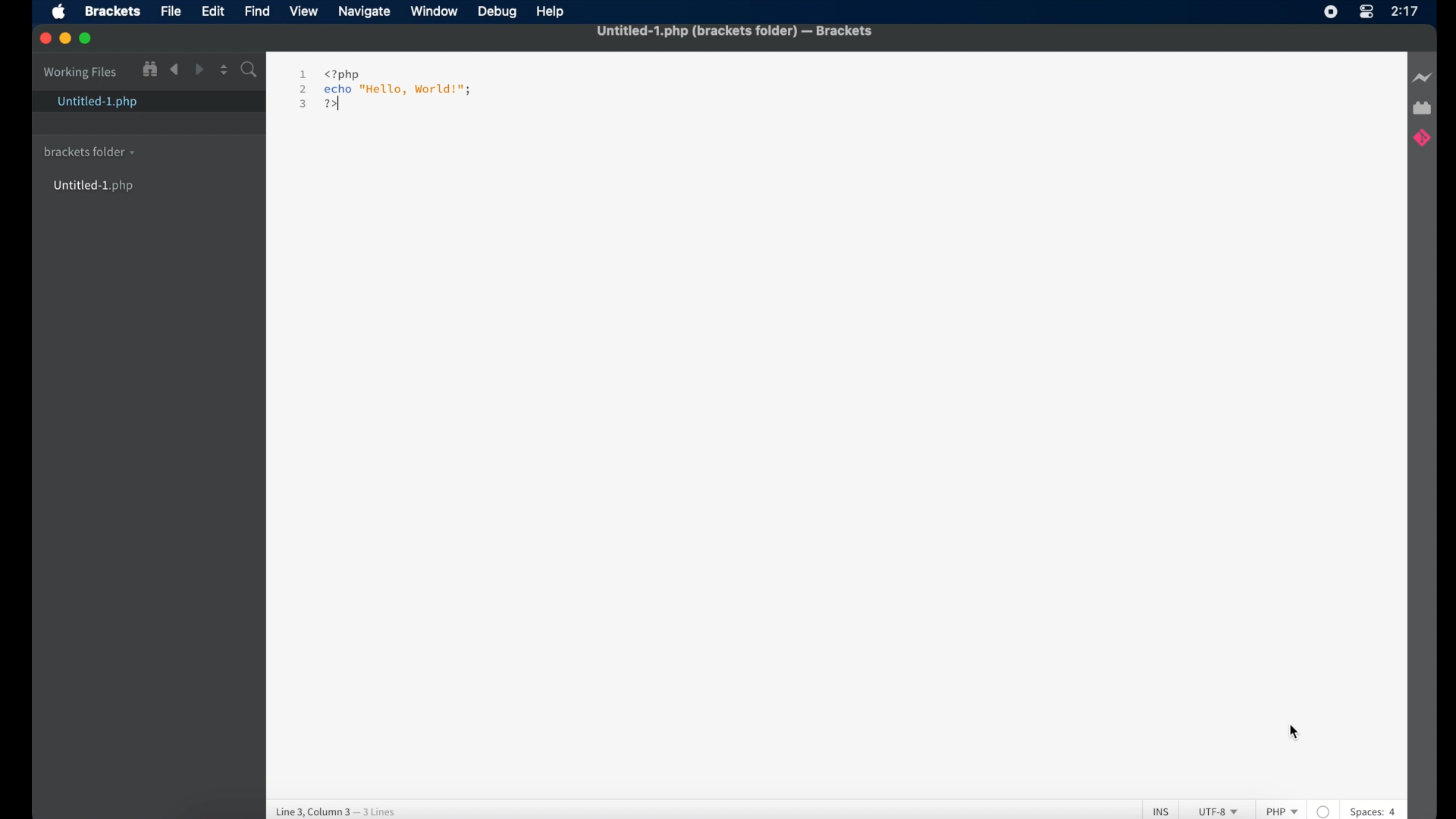  What do you see at coordinates (384, 91) in the screenshot?
I see `1 <2php
2 echo "Hello, World!";
3` at bounding box center [384, 91].